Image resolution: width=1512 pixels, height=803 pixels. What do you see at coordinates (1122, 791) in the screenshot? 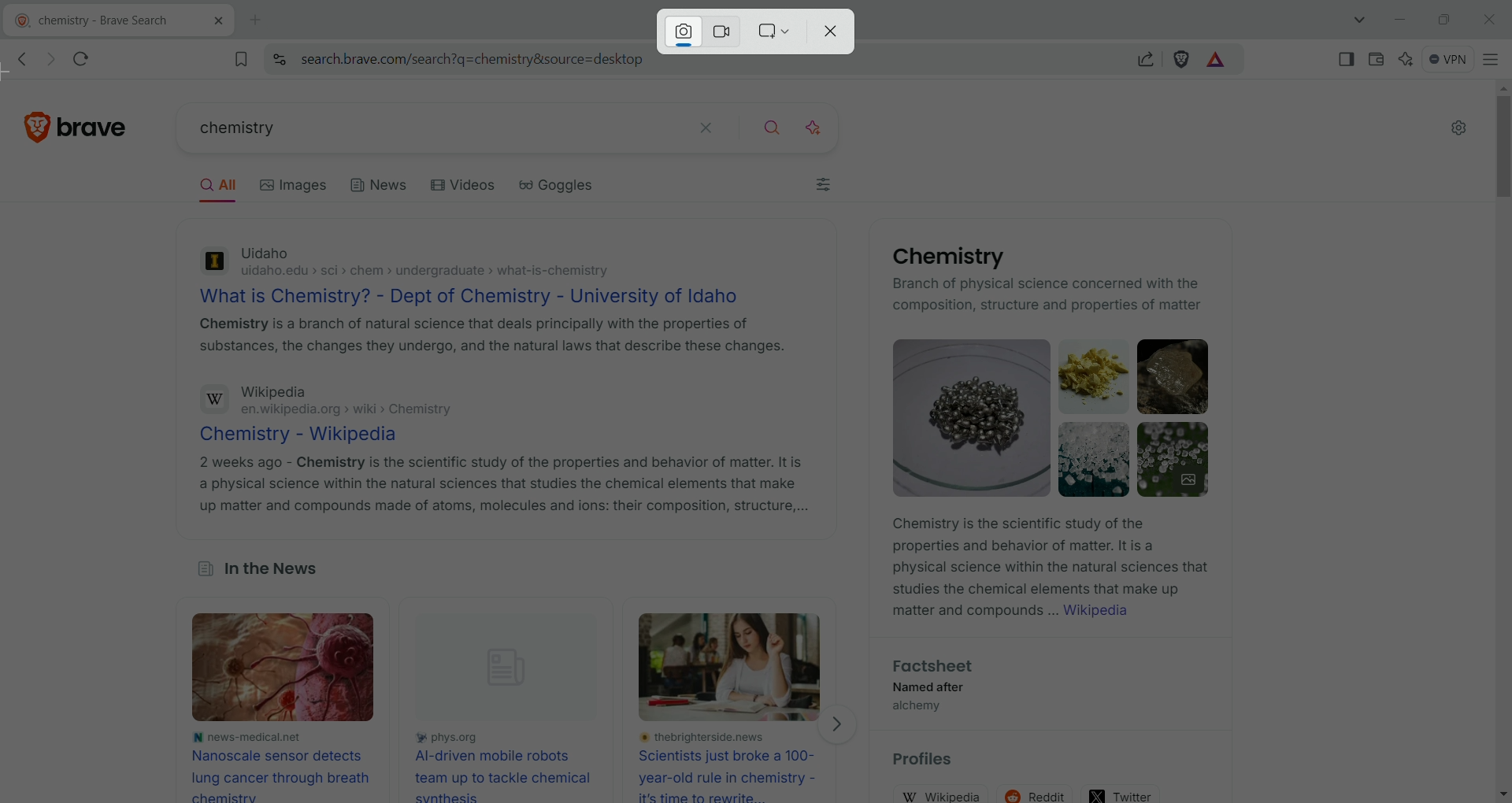
I see `twitter` at bounding box center [1122, 791].